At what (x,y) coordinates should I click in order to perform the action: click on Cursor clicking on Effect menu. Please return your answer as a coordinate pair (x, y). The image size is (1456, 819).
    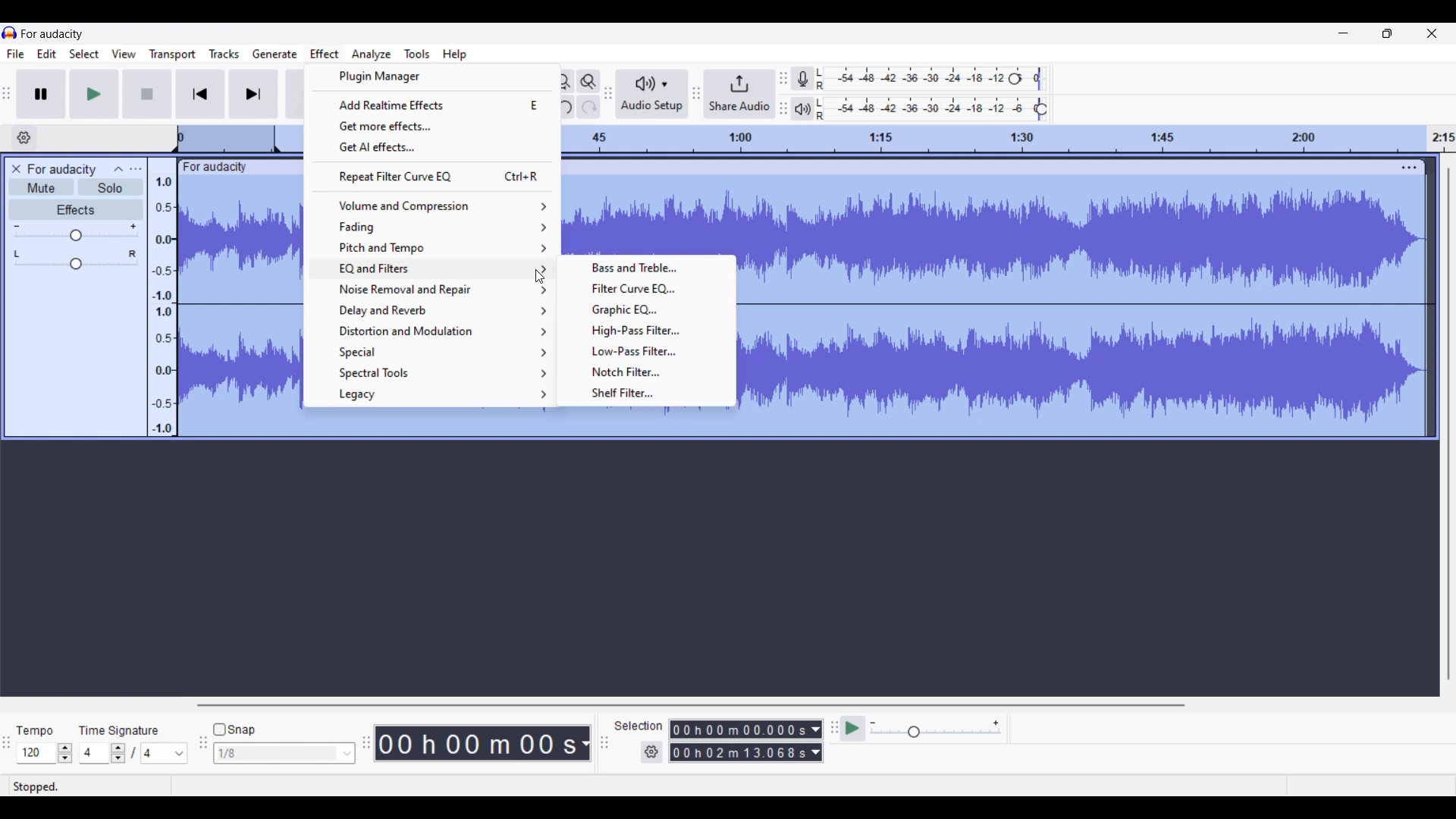
    Looking at the image, I should click on (323, 61).